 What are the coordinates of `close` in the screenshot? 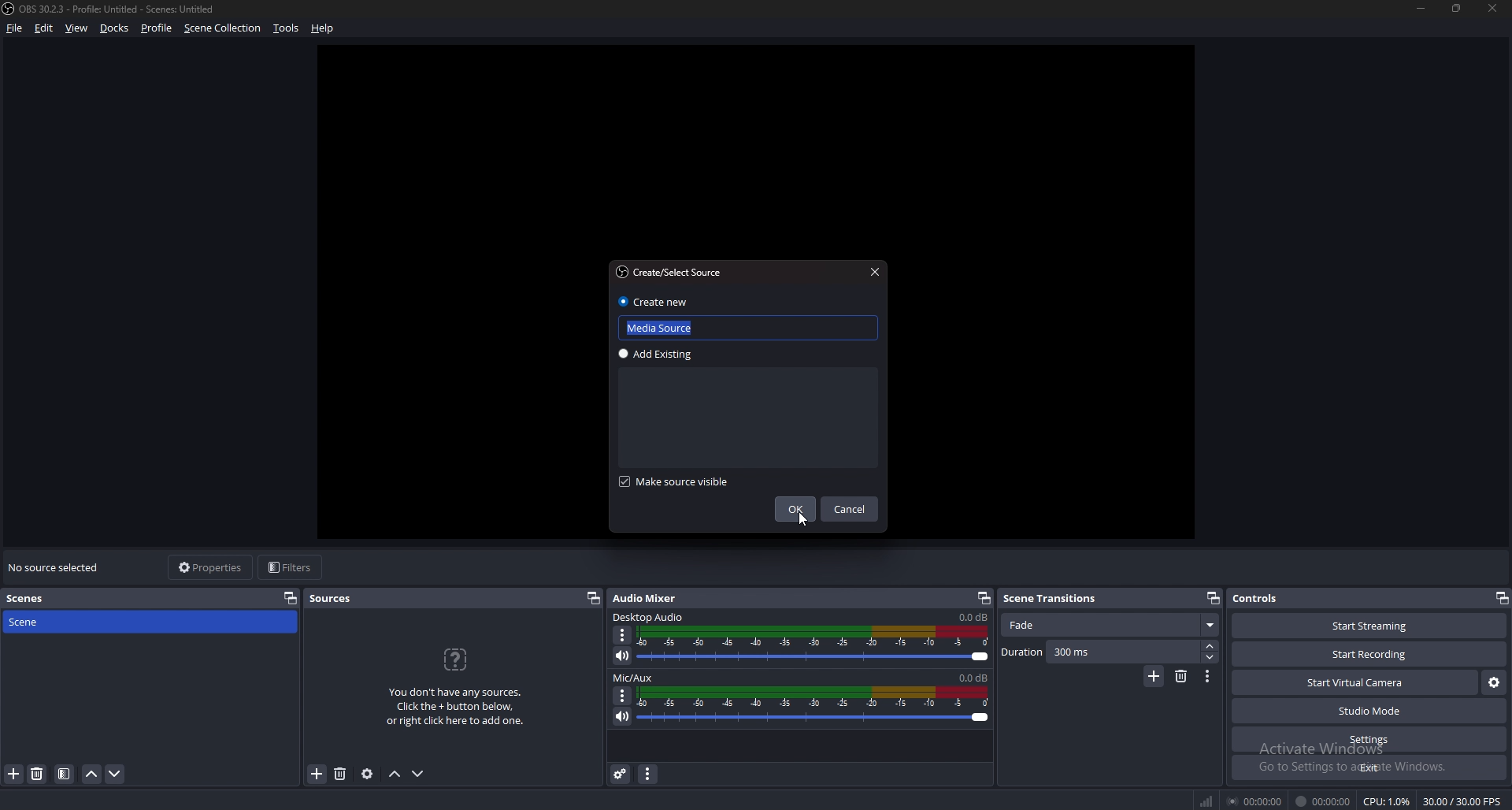 It's located at (1494, 8).